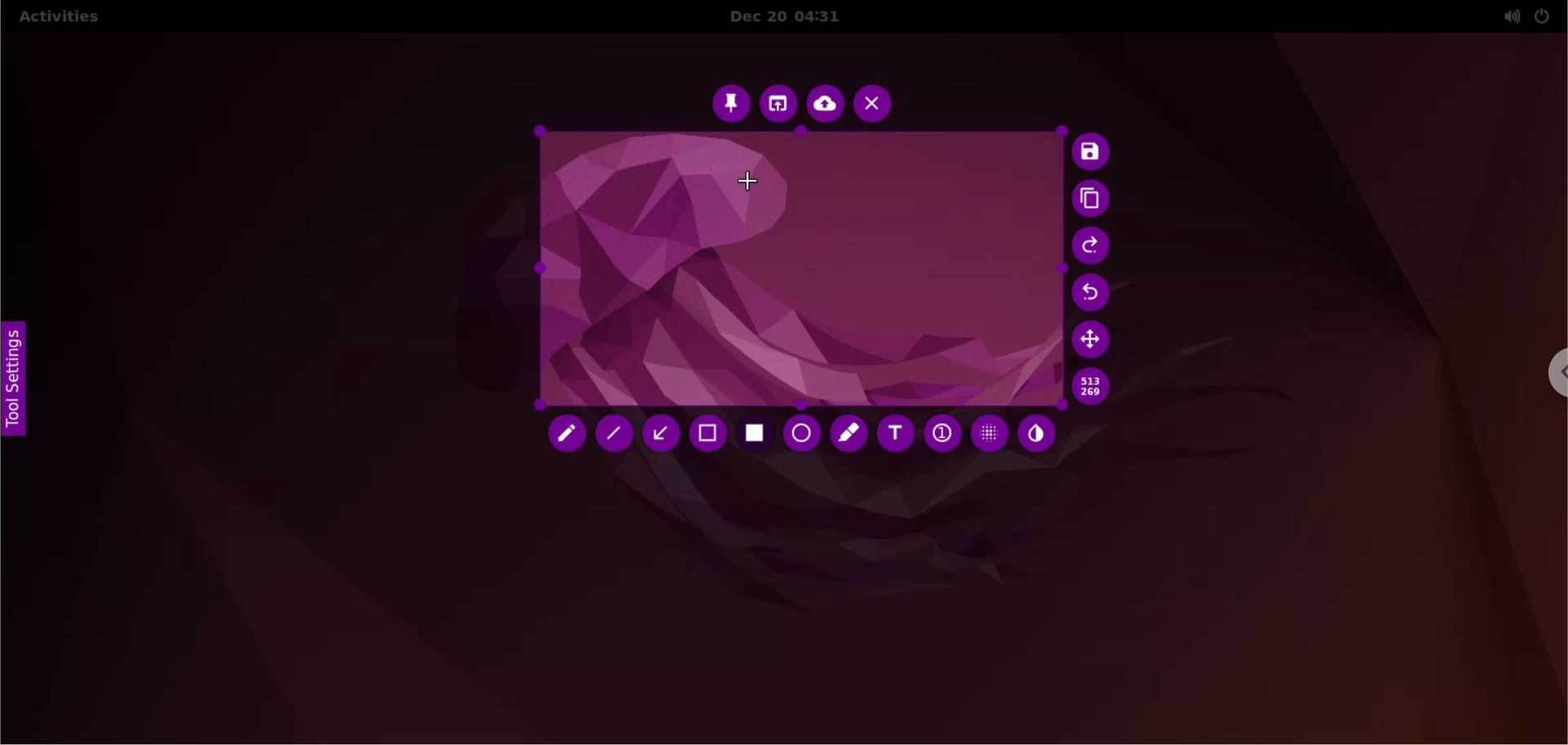 The width and height of the screenshot is (1568, 745). Describe the element at coordinates (777, 102) in the screenshot. I see `choose app to open screenshot` at that location.